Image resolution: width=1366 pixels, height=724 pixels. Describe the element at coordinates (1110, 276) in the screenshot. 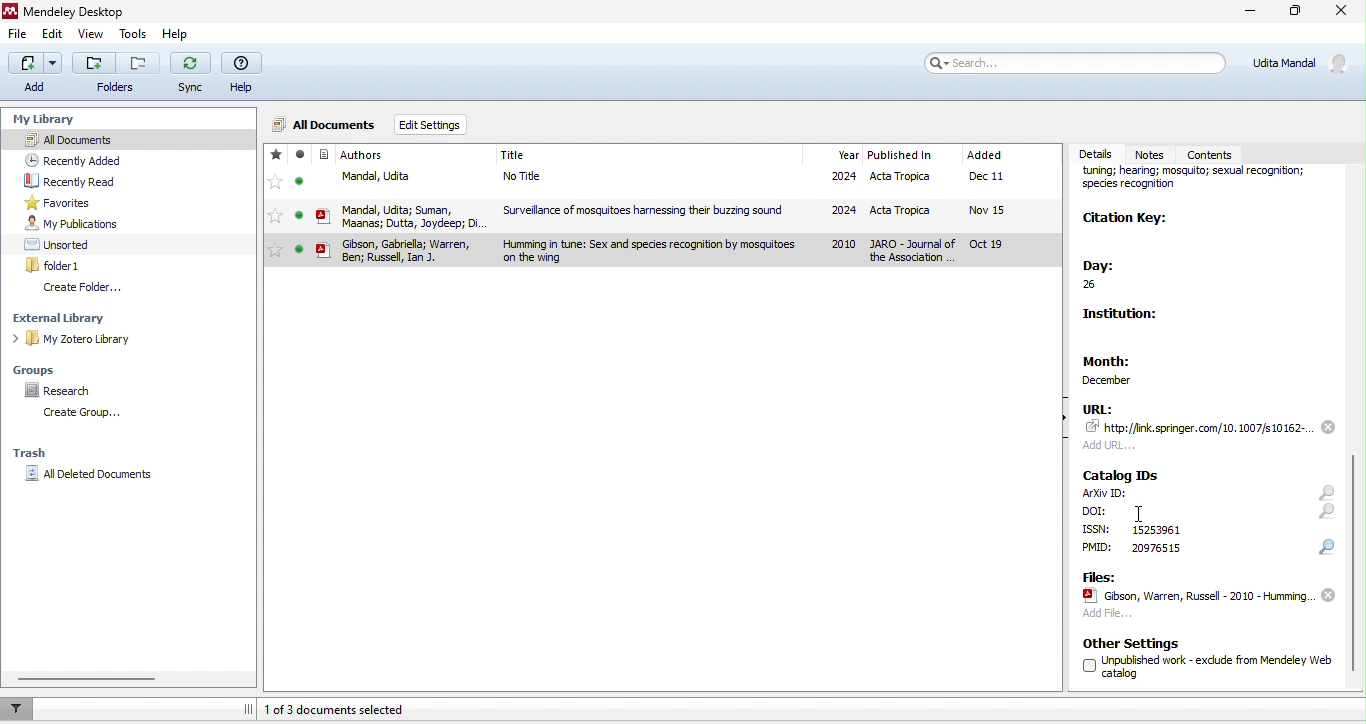

I see `day:26` at that location.